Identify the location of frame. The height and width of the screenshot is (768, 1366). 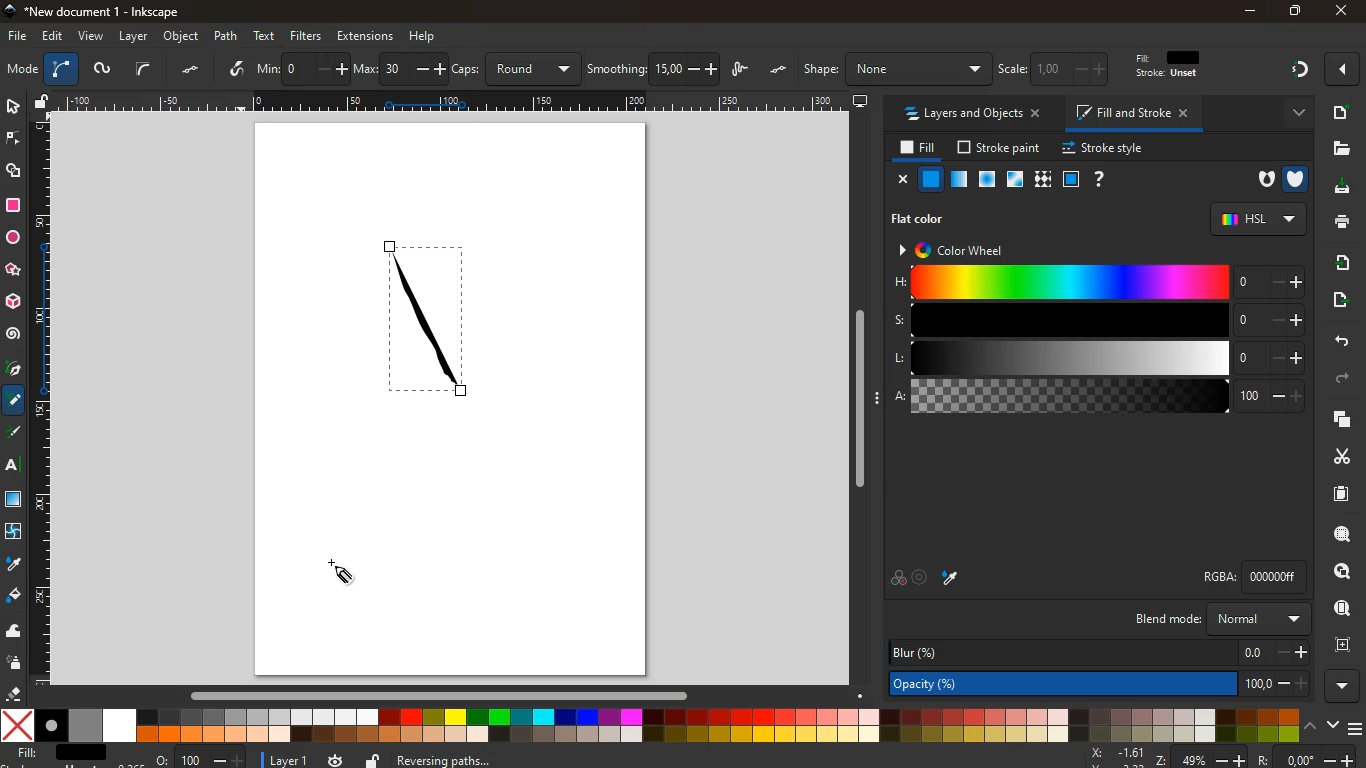
(1344, 572).